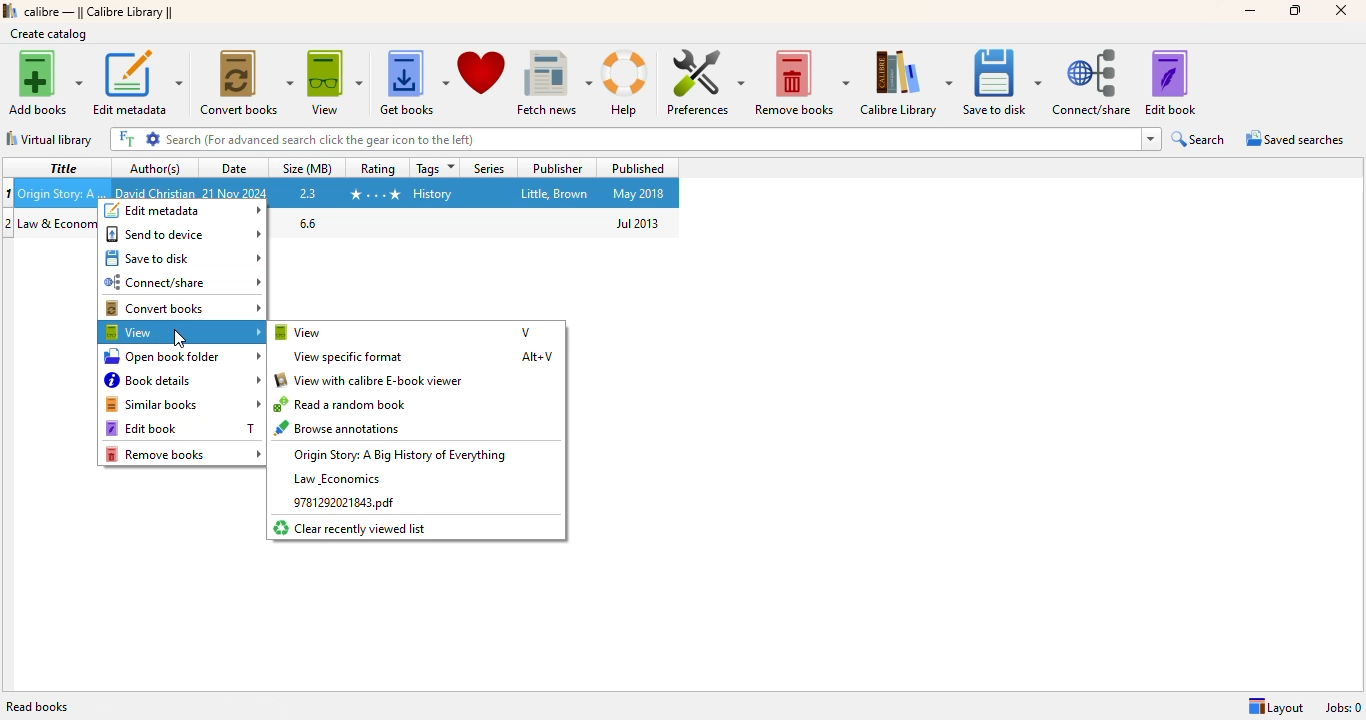 This screenshot has width=1366, height=720. What do you see at coordinates (10, 11) in the screenshot?
I see `logo` at bounding box center [10, 11].